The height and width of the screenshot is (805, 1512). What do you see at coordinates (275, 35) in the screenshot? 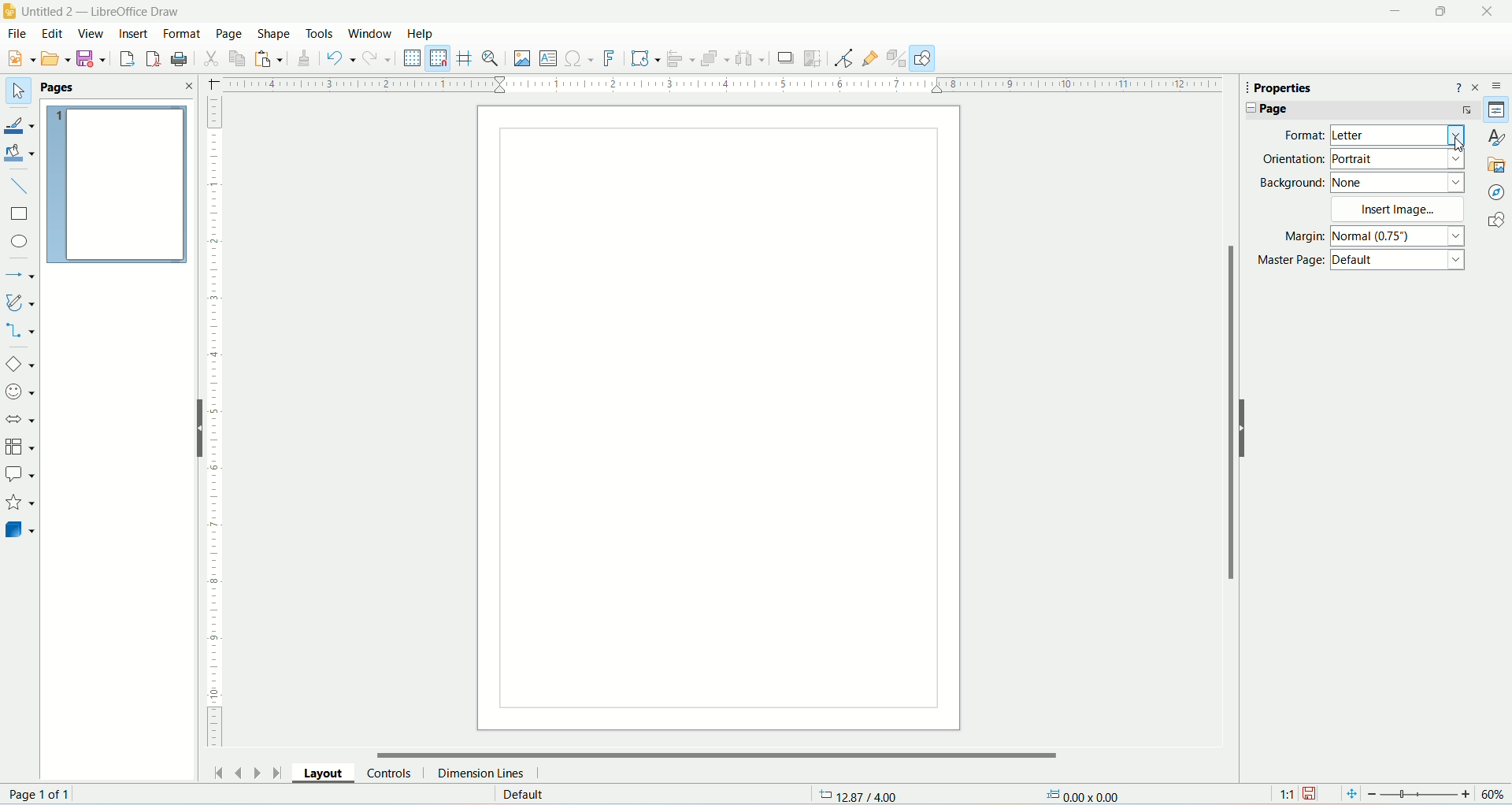
I see `shape` at bounding box center [275, 35].